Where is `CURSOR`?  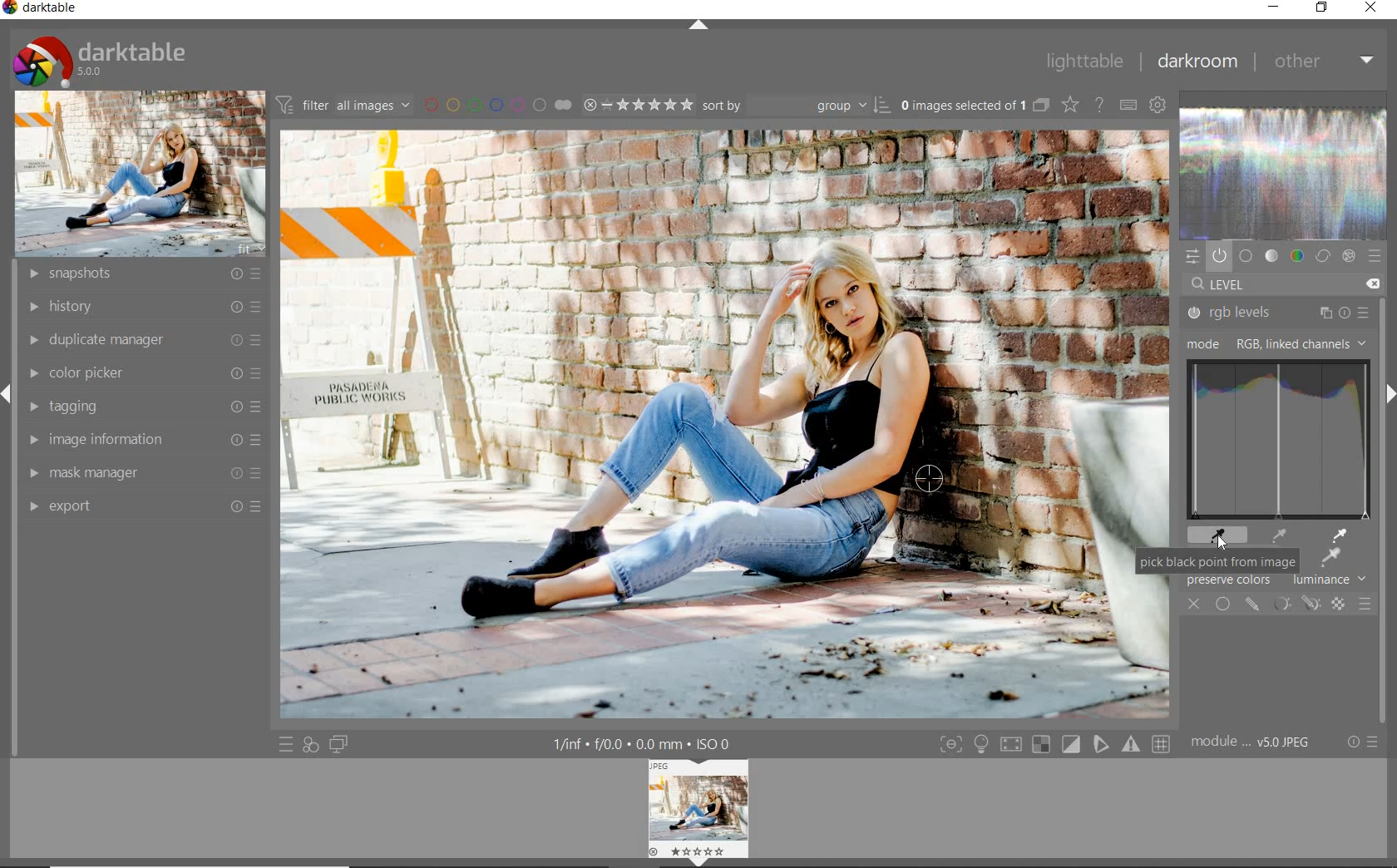 CURSOR is located at coordinates (1224, 545).